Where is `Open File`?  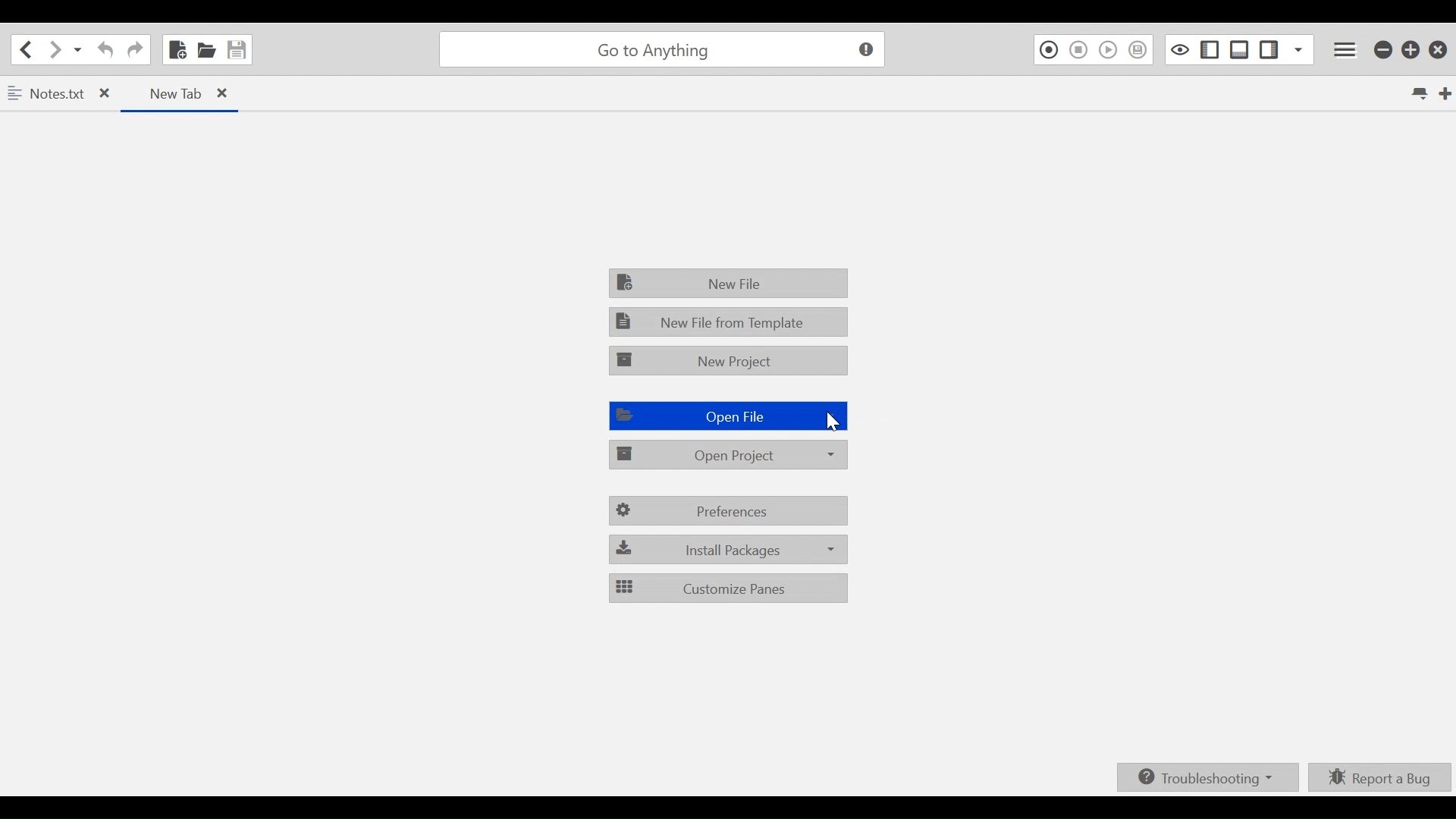 Open File is located at coordinates (206, 49).